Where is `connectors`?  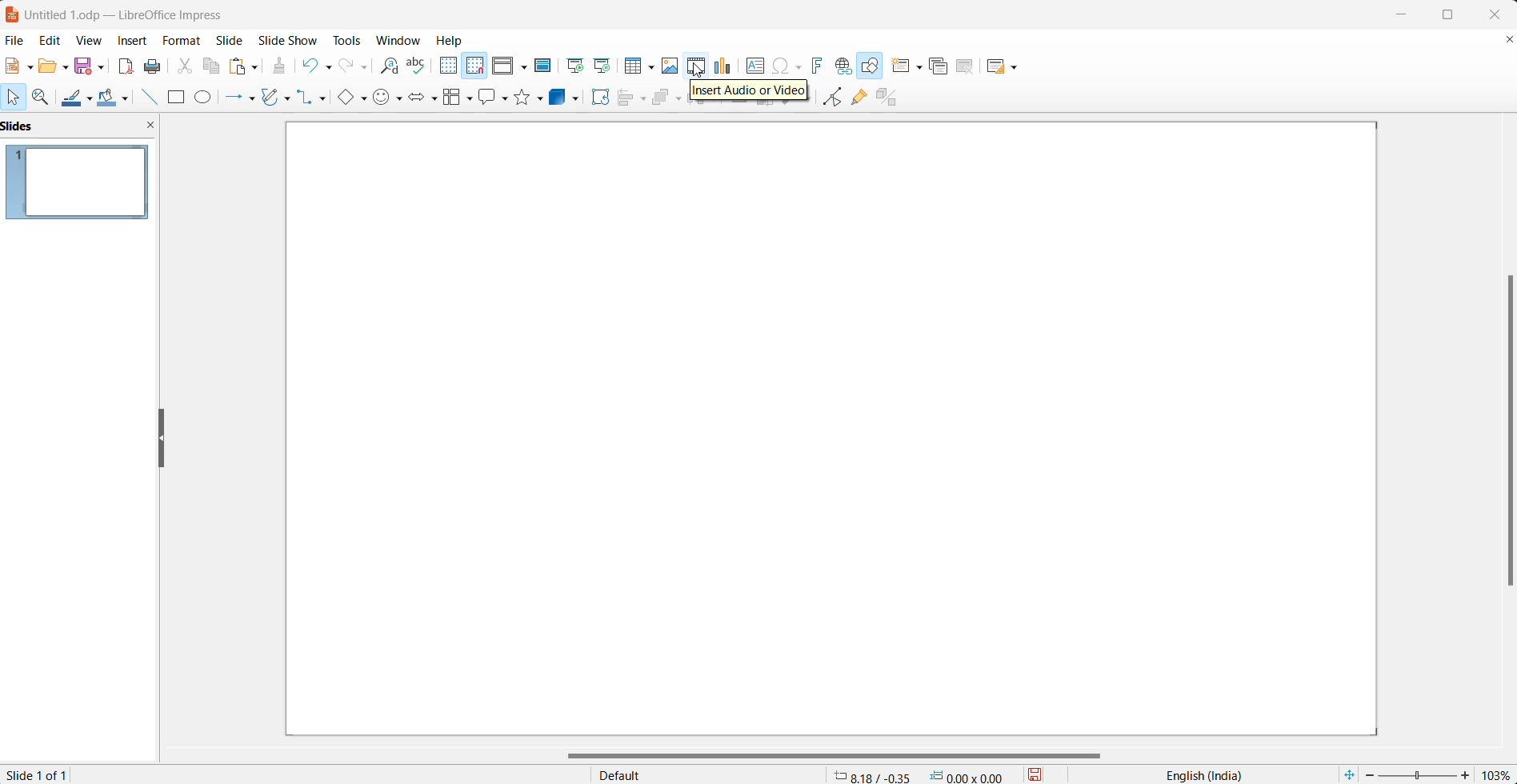 connectors is located at coordinates (306, 99).